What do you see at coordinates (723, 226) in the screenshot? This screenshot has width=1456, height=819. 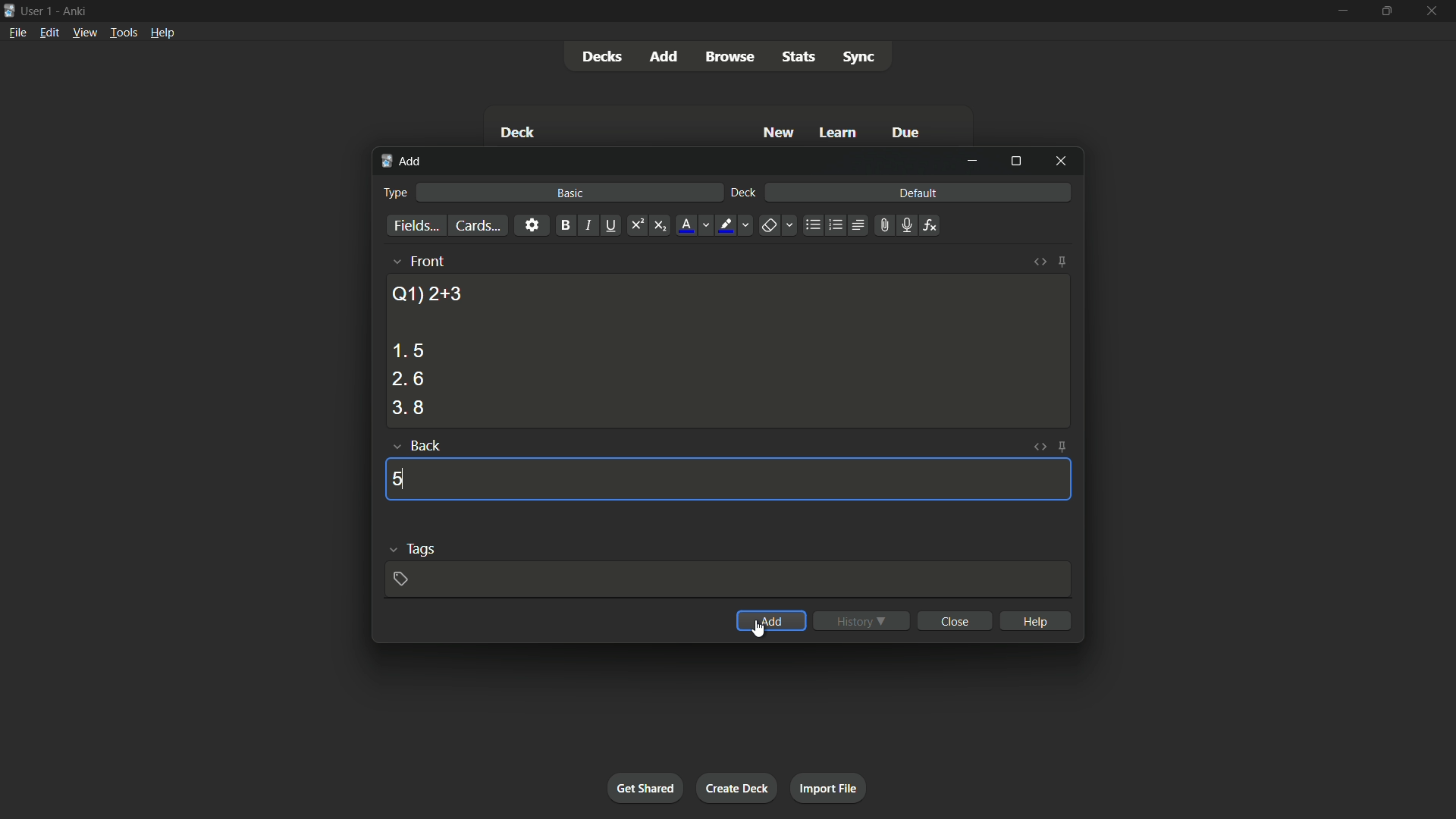 I see `highlight text` at bounding box center [723, 226].